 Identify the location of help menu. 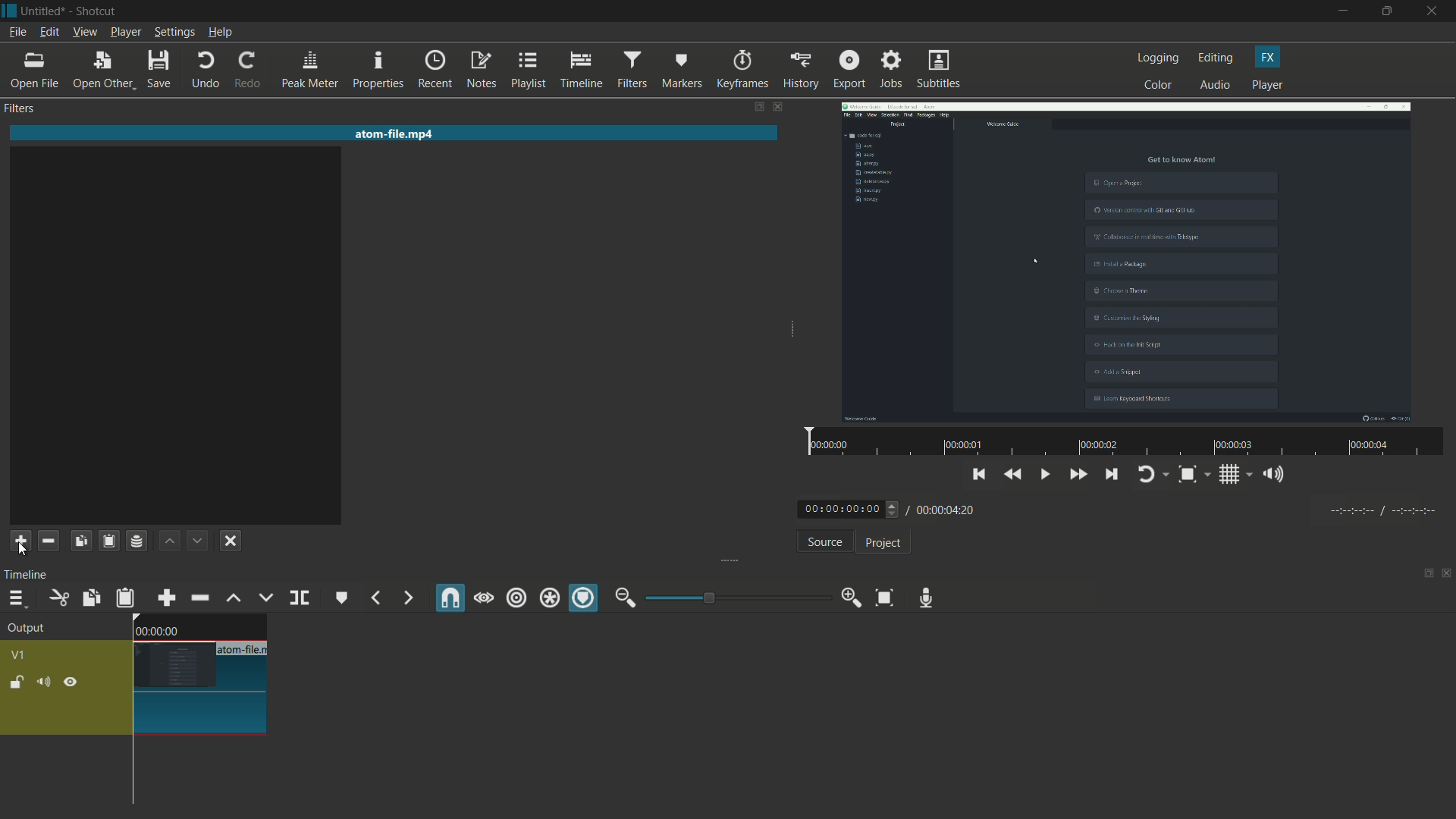
(221, 33).